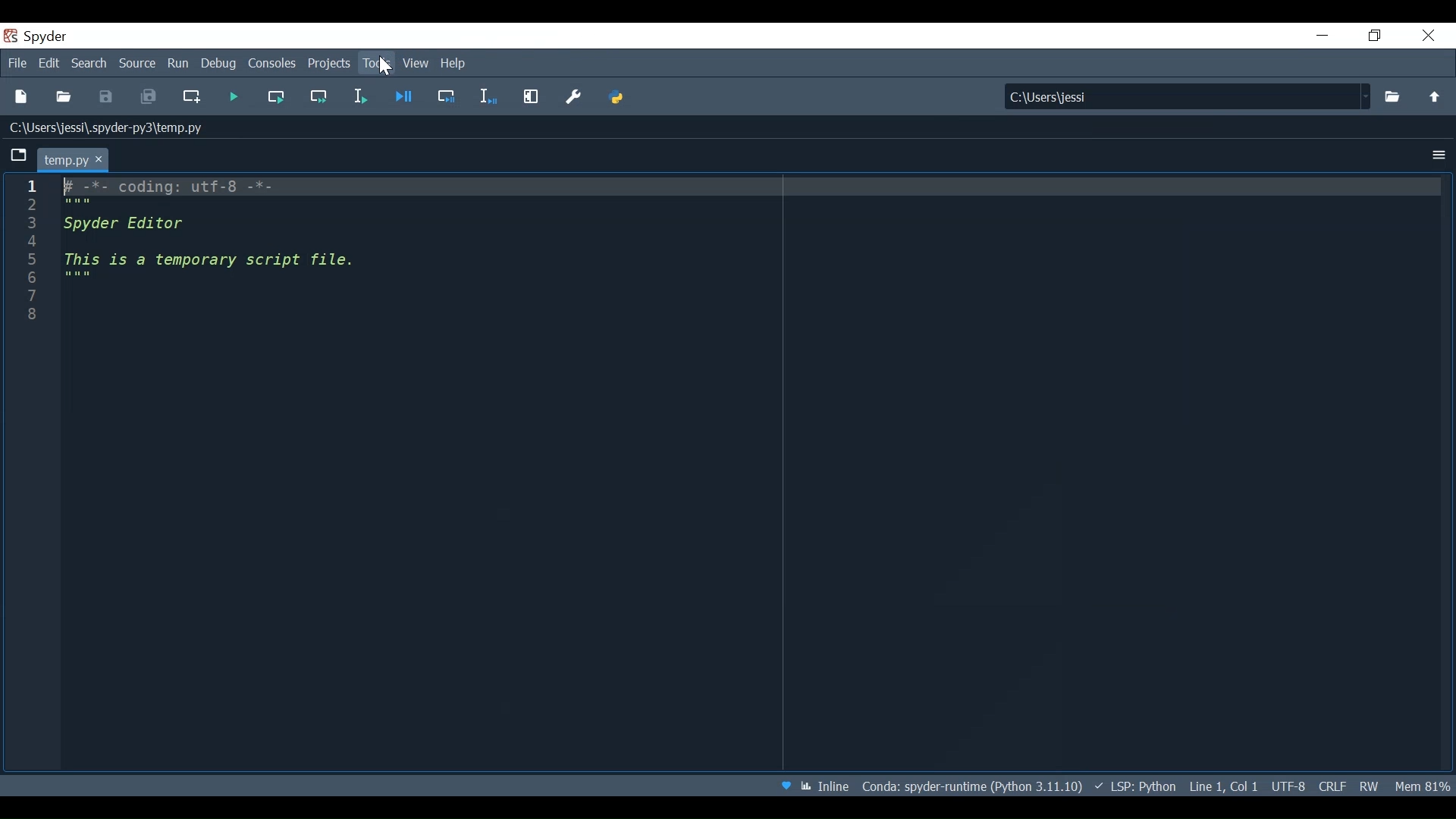 This screenshot has width=1456, height=819. Describe the element at coordinates (360, 97) in the screenshot. I see `Run selection or current line` at that location.